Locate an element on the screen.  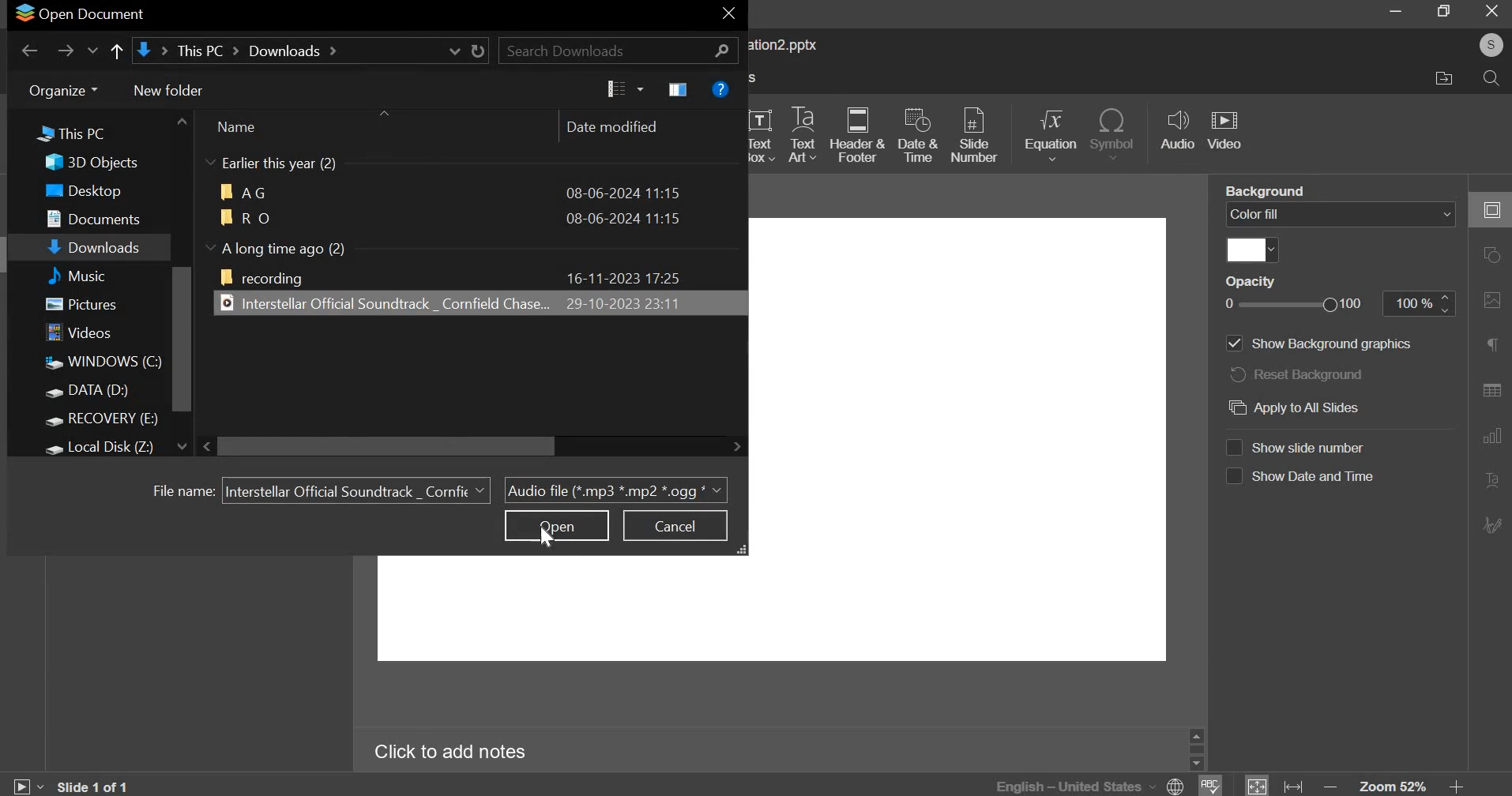
reset background is located at coordinates (1301, 376).